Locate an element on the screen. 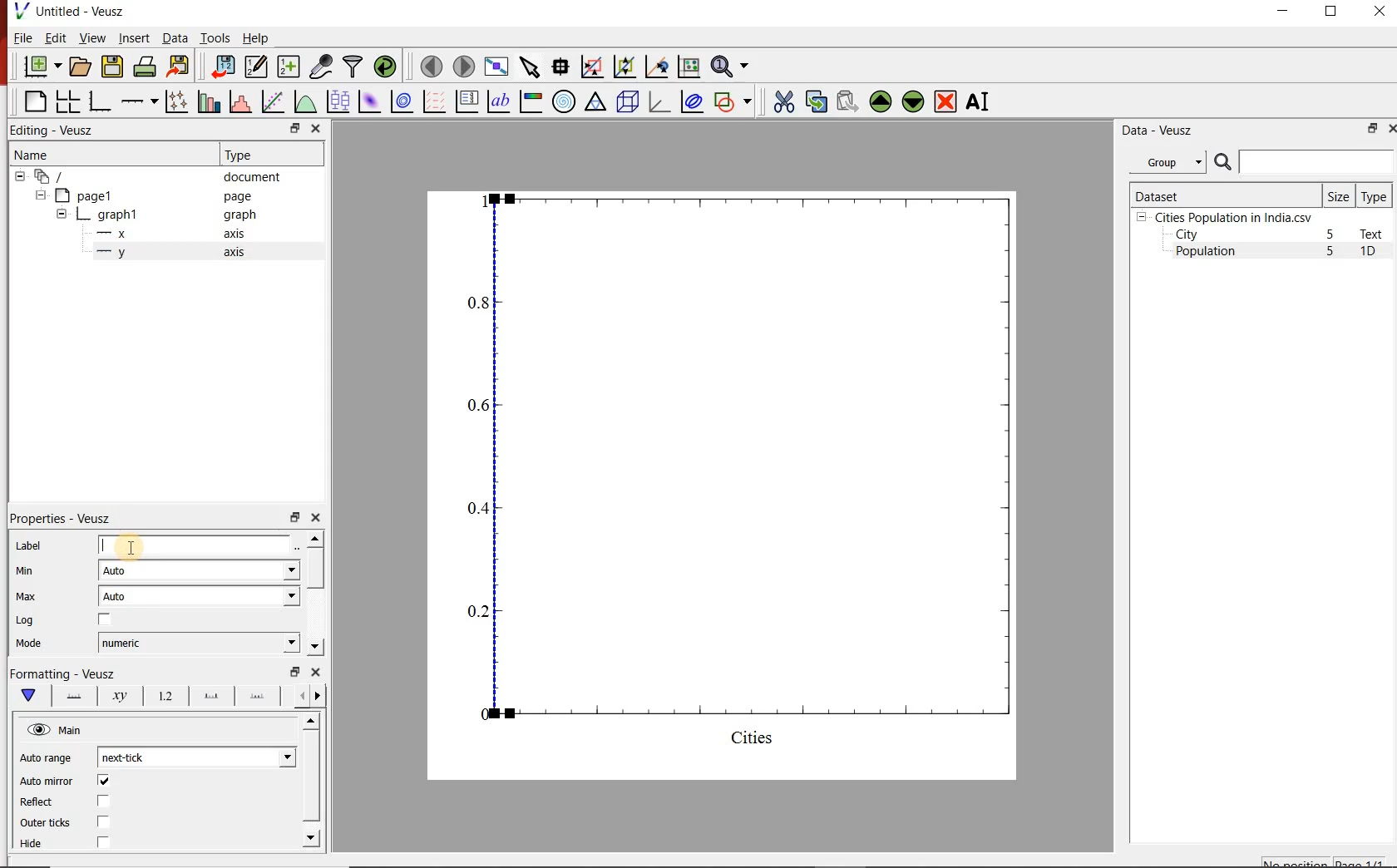  graph1 is located at coordinates (159, 215).